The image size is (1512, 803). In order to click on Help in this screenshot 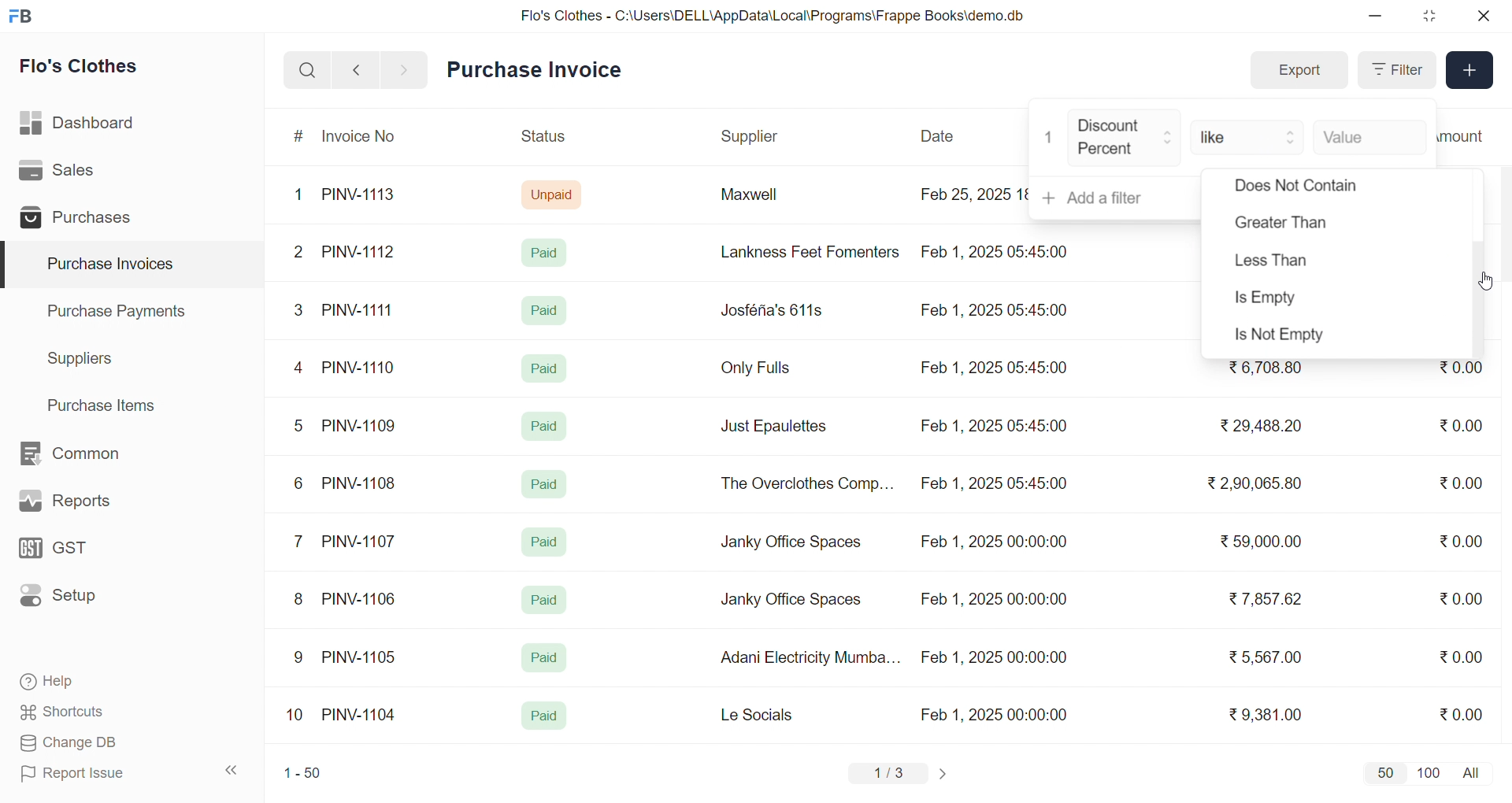, I will do `click(98, 683)`.